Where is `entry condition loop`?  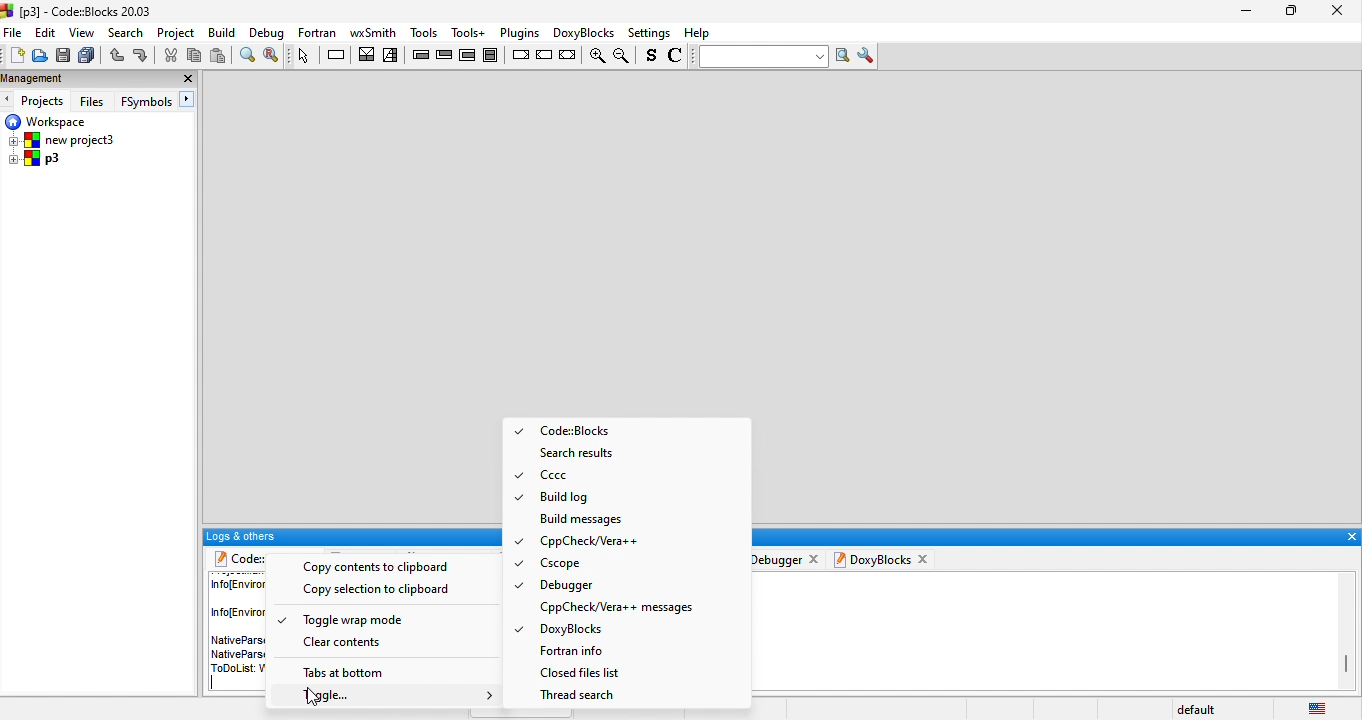 entry condition loop is located at coordinates (420, 54).